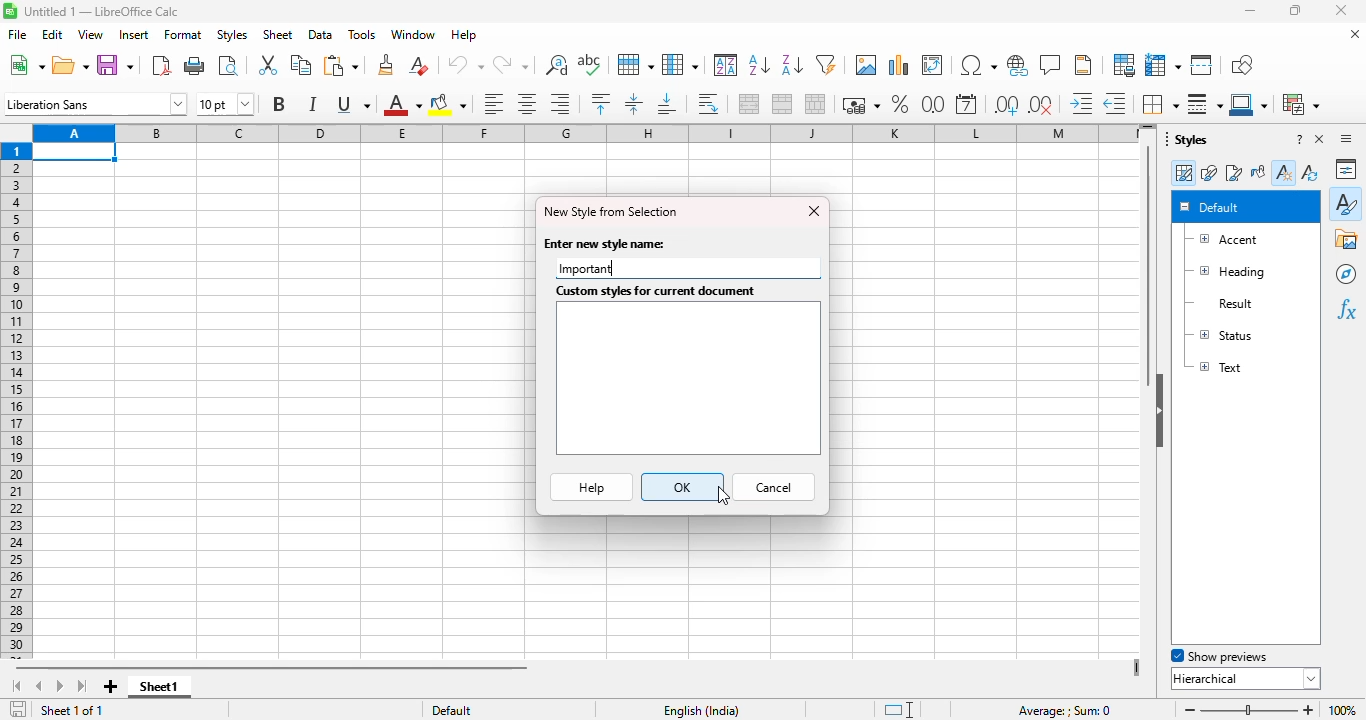 This screenshot has height=720, width=1366. Describe the element at coordinates (1051, 64) in the screenshot. I see `insert comment` at that location.